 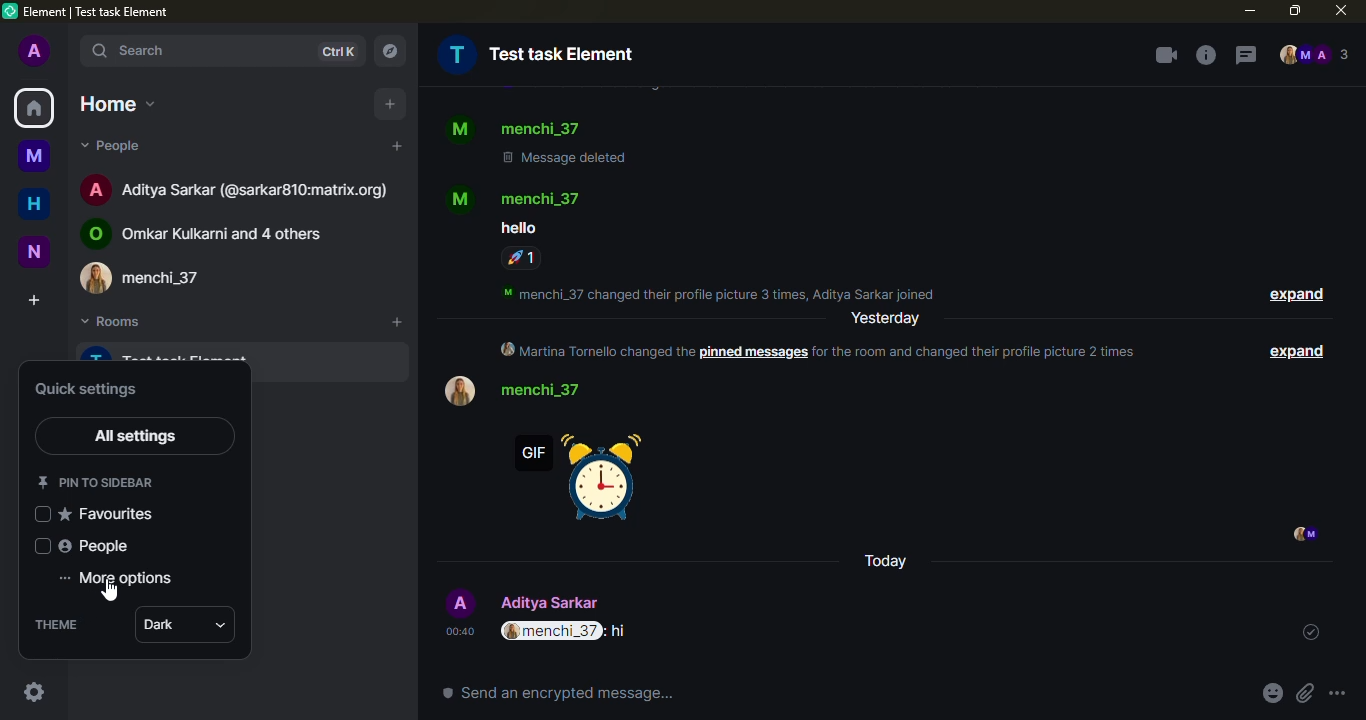 I want to click on time, so click(x=460, y=632).